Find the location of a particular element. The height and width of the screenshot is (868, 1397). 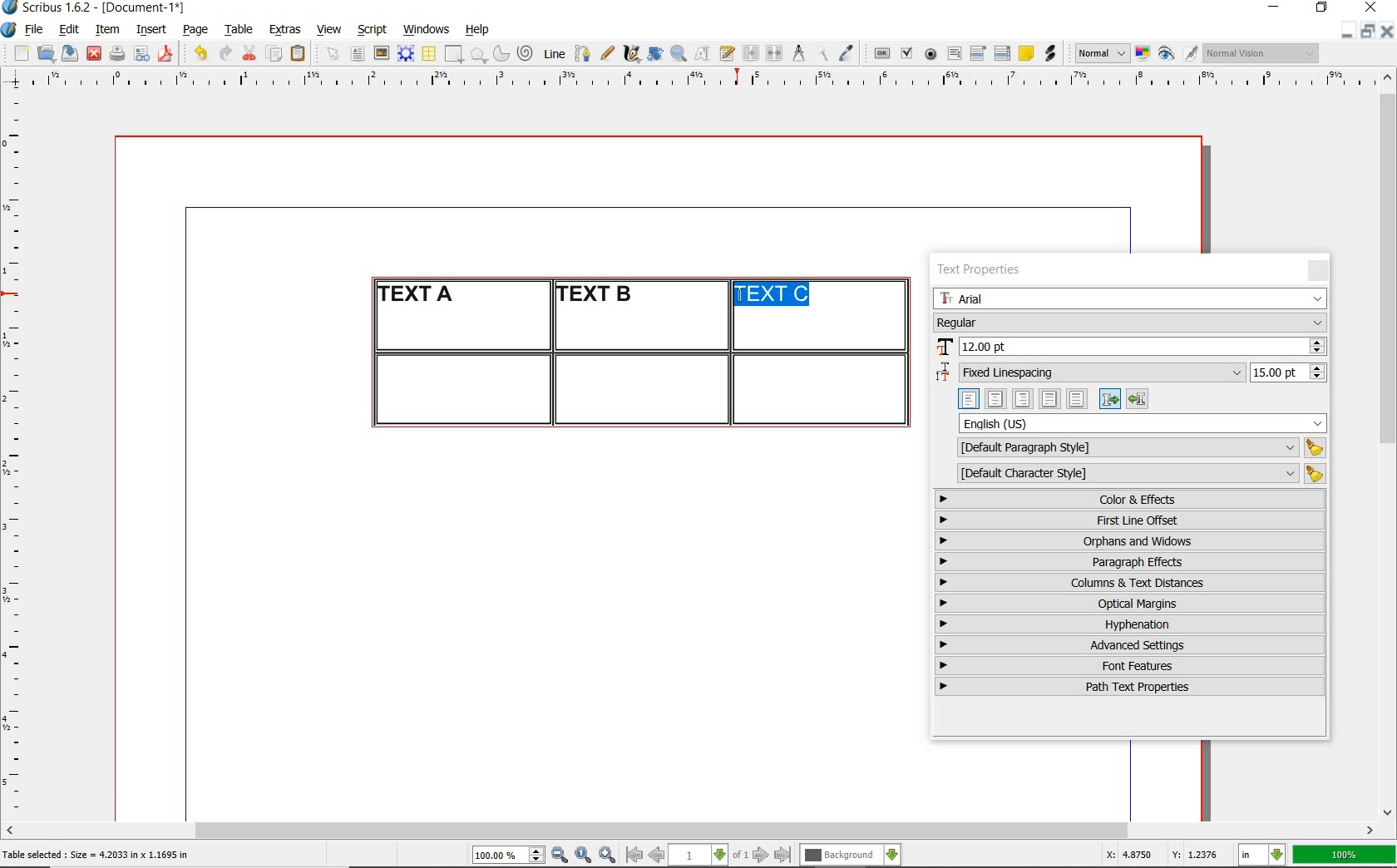

Table selected : Size = 4.2033 in x 1.1695 in is located at coordinates (96, 854).